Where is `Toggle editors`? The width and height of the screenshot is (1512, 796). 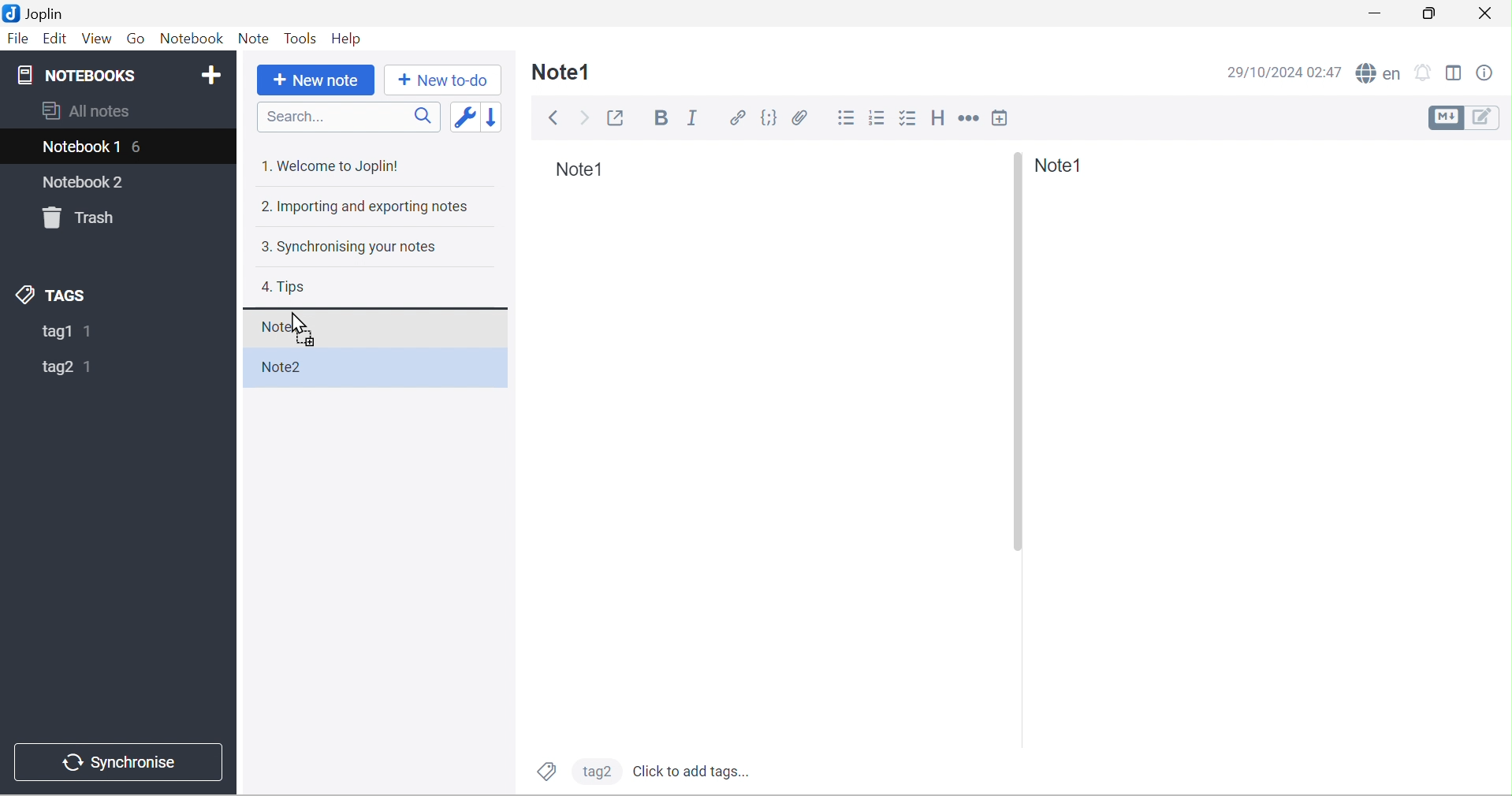
Toggle editors is located at coordinates (1467, 118).